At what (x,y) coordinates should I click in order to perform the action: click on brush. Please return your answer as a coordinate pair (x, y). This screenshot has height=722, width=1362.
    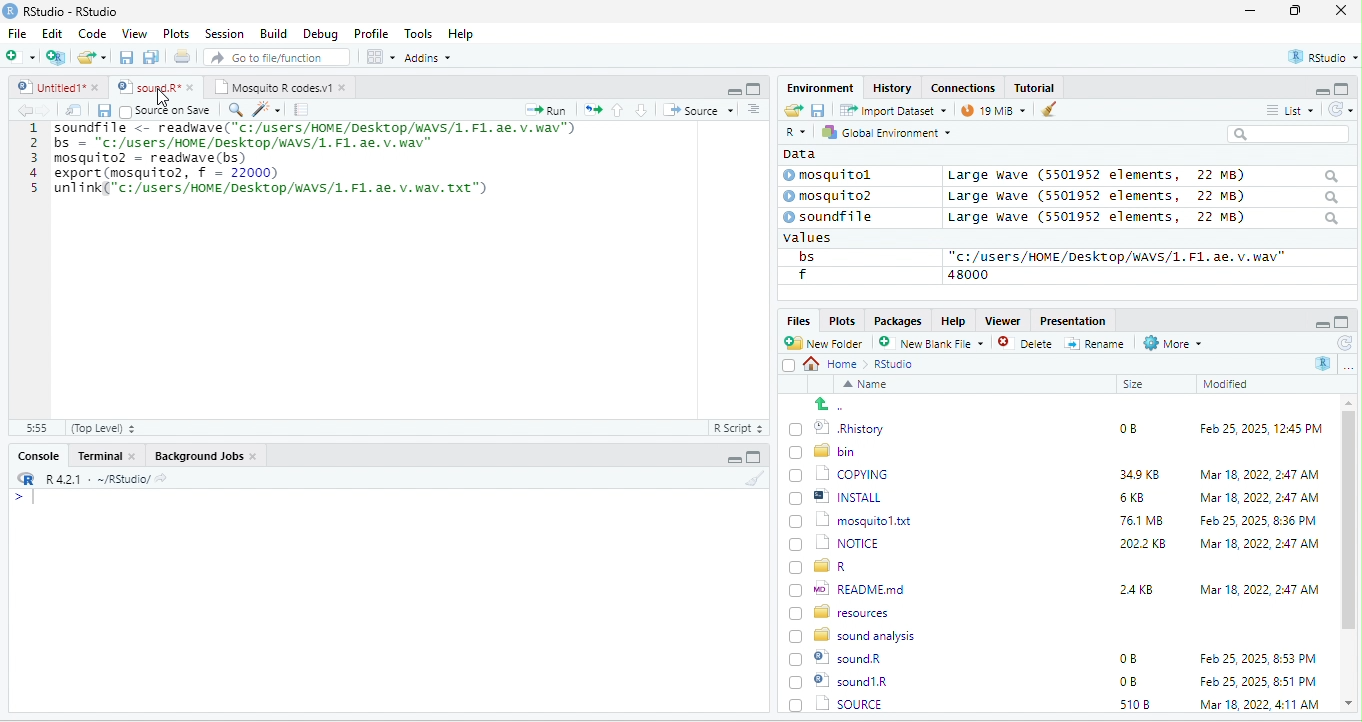
    Looking at the image, I should click on (1044, 111).